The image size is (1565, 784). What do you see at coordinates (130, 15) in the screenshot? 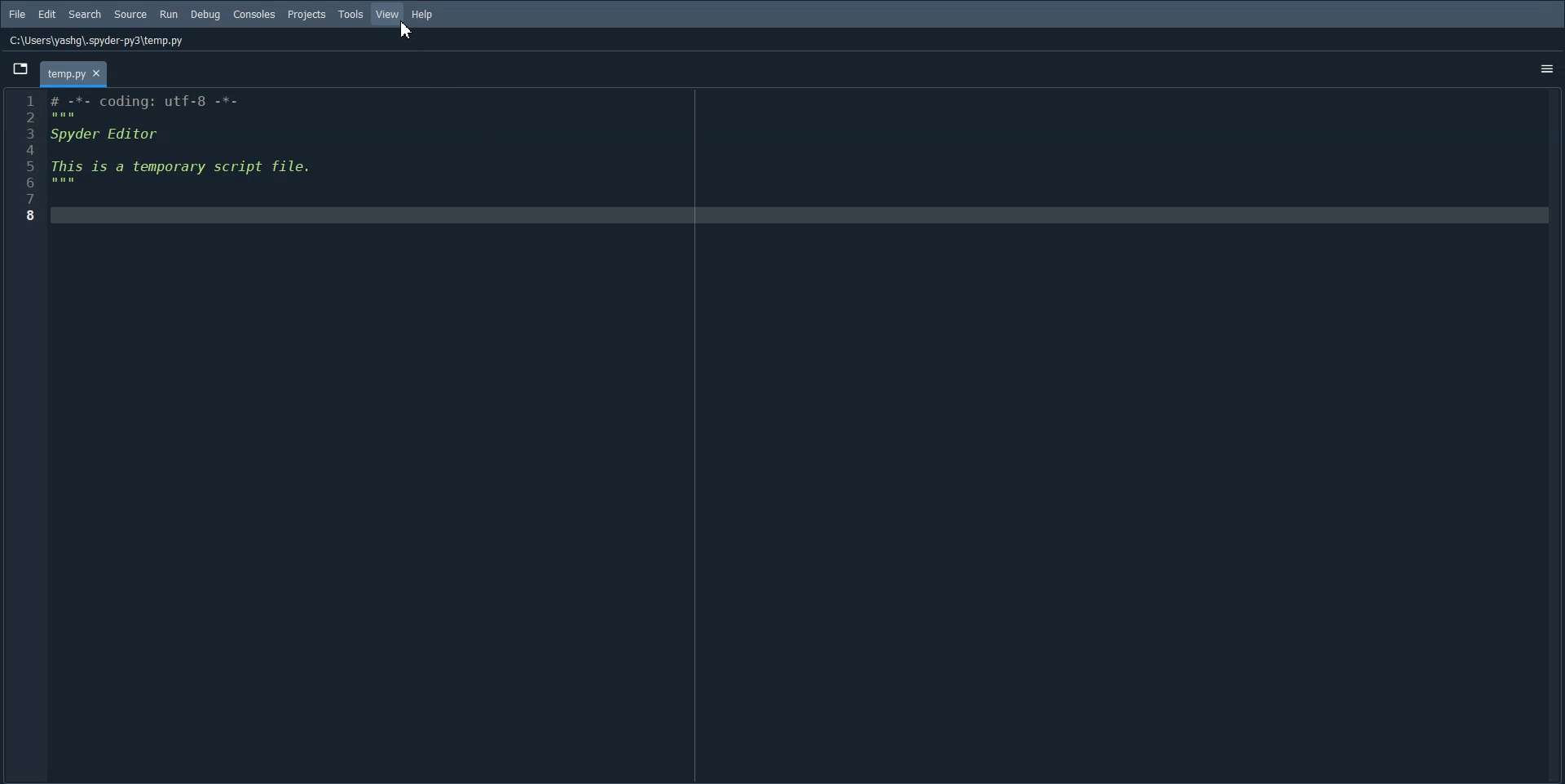
I see `Source` at bounding box center [130, 15].